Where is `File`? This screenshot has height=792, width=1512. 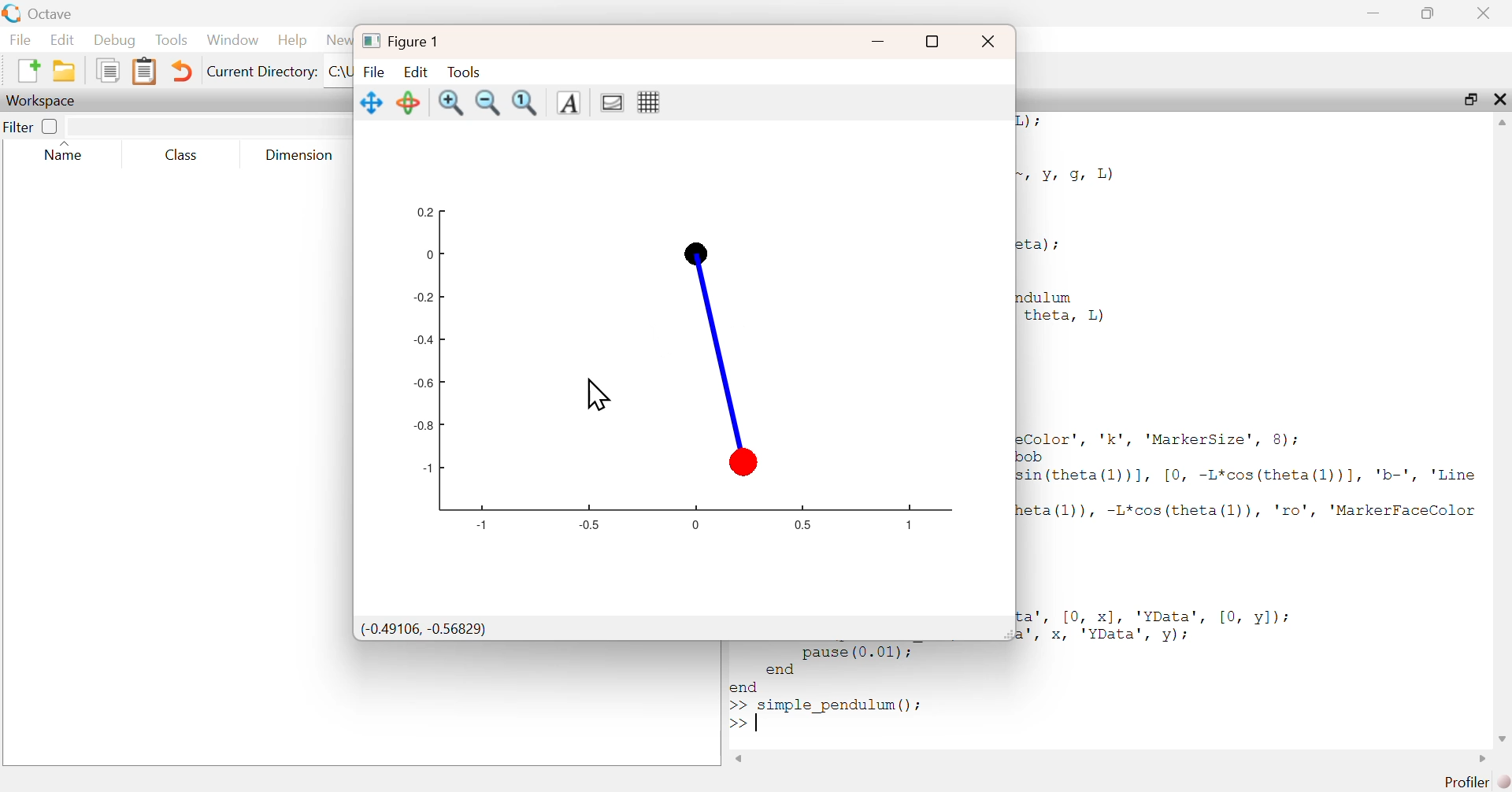
File is located at coordinates (19, 39).